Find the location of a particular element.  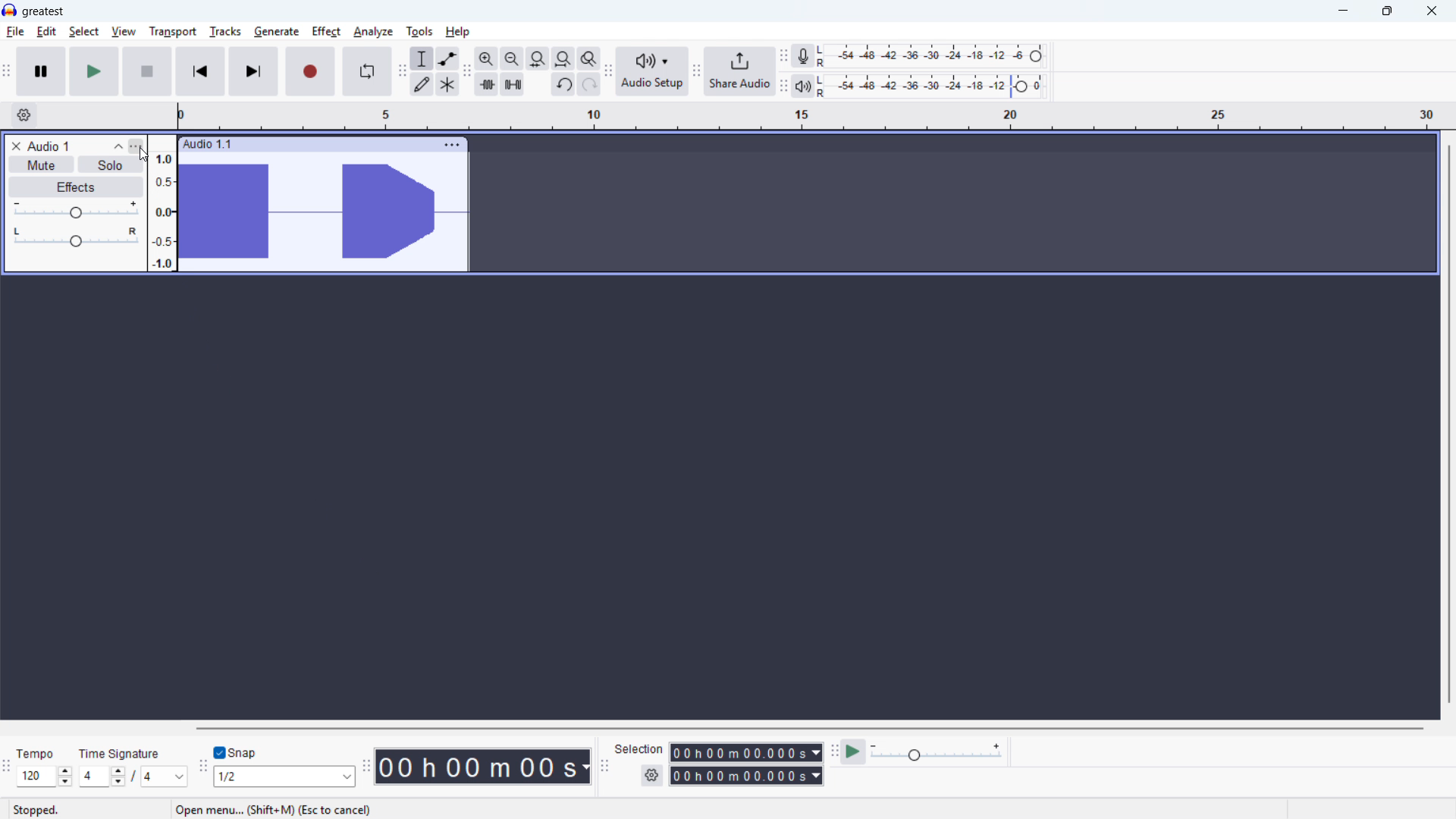

Selection toolbar  is located at coordinates (606, 769).